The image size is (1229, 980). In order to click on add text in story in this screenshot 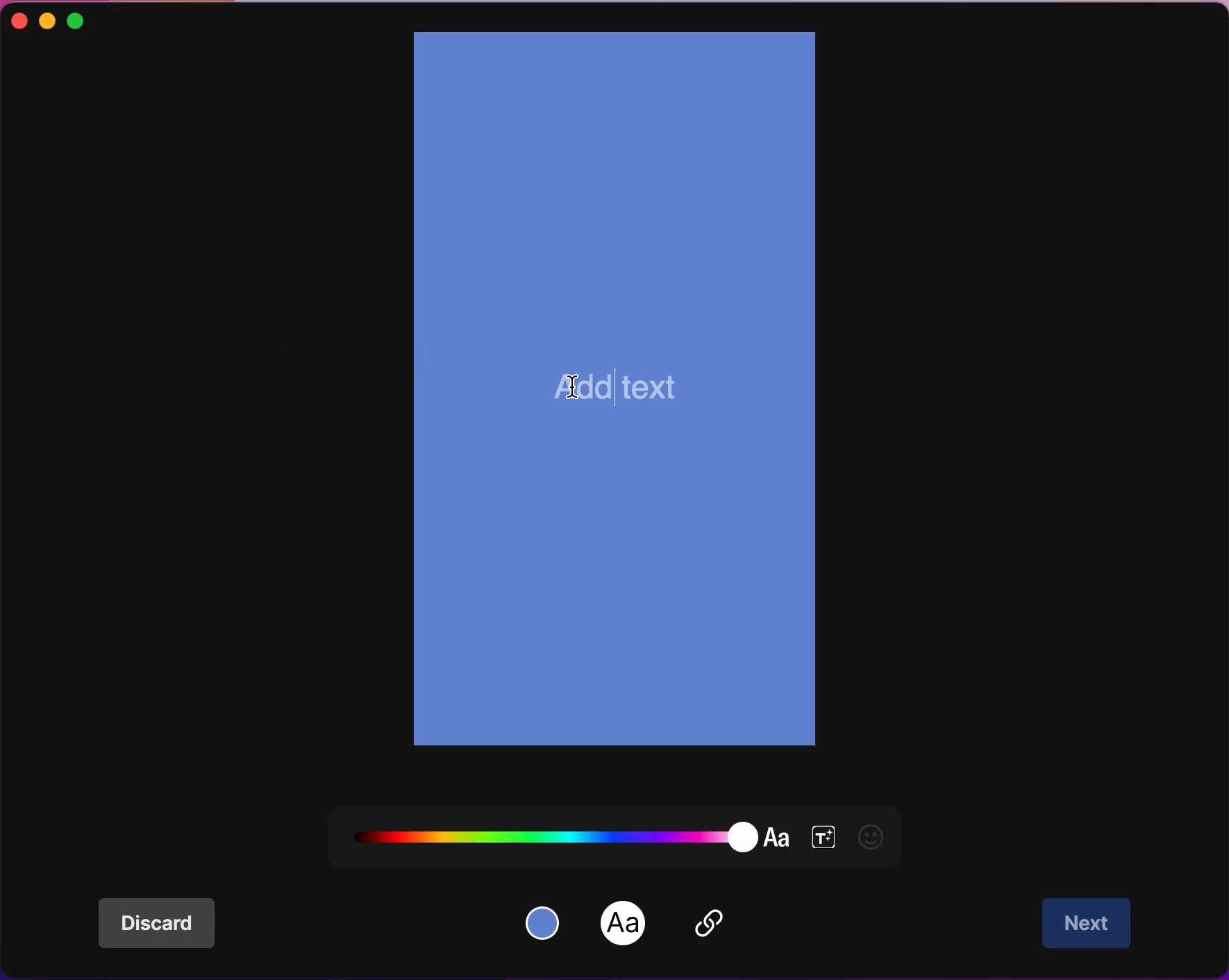, I will do `click(608, 400)`.